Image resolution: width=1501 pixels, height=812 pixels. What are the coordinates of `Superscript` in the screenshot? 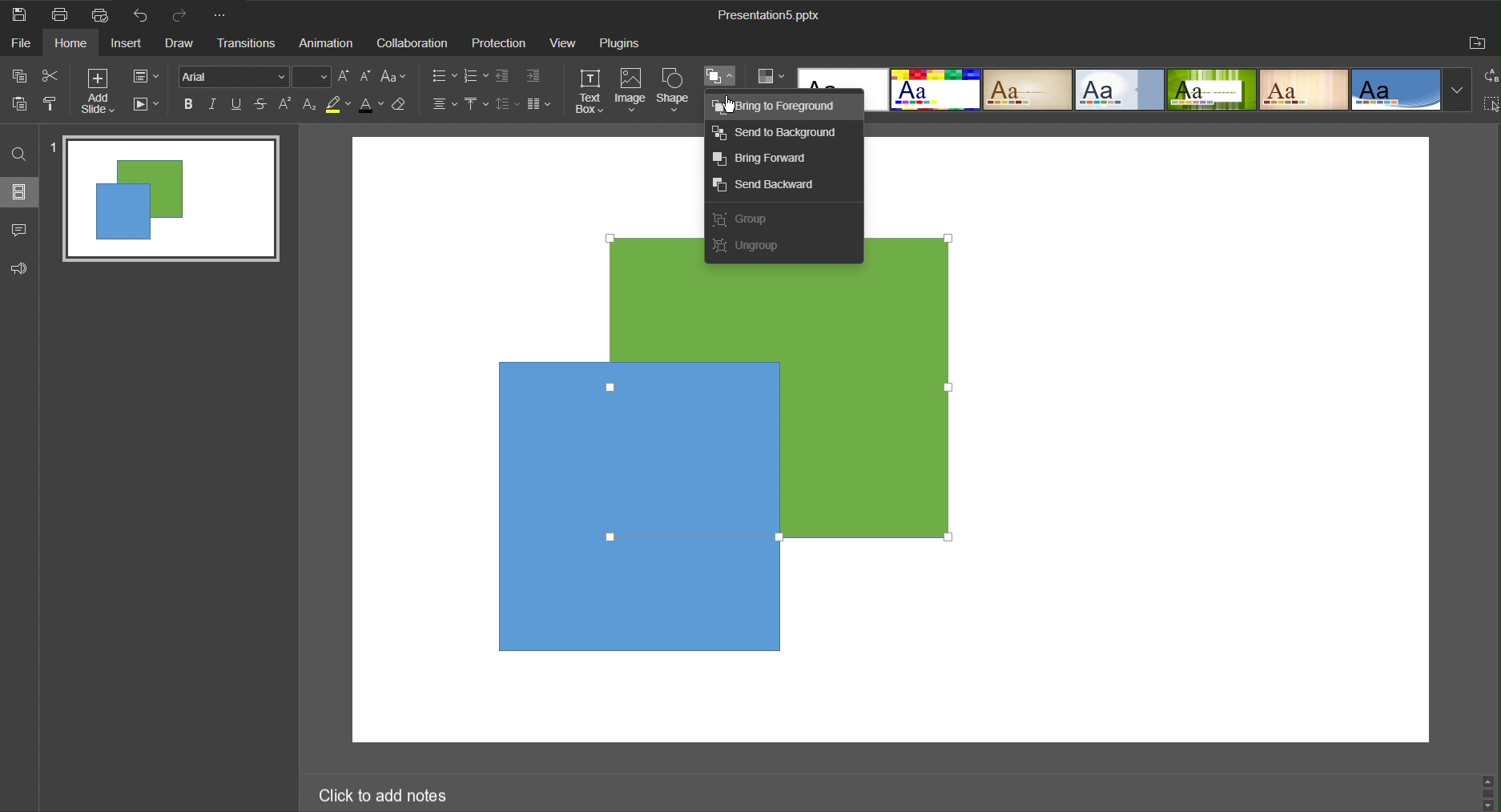 It's located at (284, 107).